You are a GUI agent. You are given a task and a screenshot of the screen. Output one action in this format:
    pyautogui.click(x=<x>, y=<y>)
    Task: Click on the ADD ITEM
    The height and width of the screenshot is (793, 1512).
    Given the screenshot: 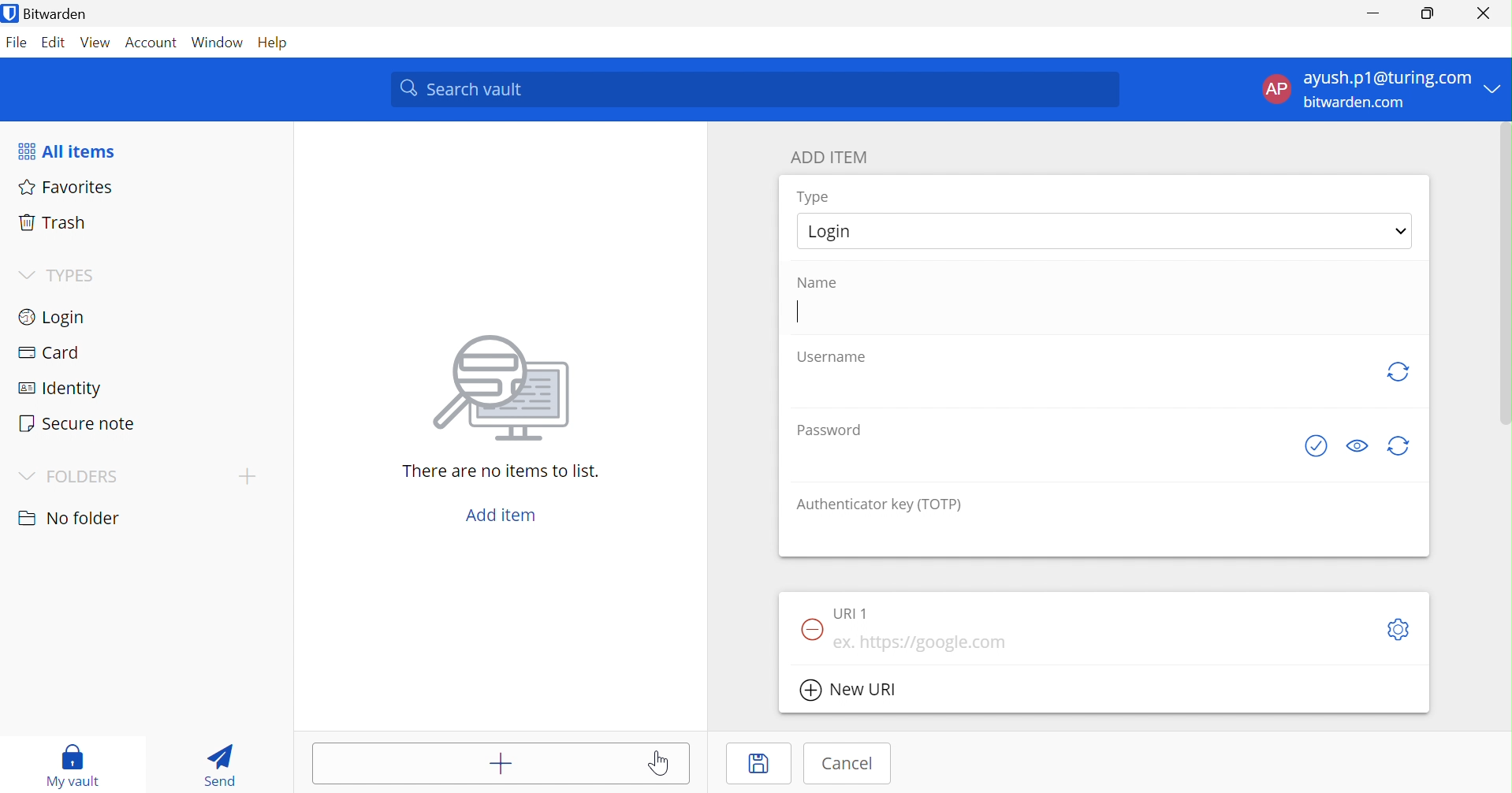 What is the action you would take?
    pyautogui.click(x=831, y=158)
    